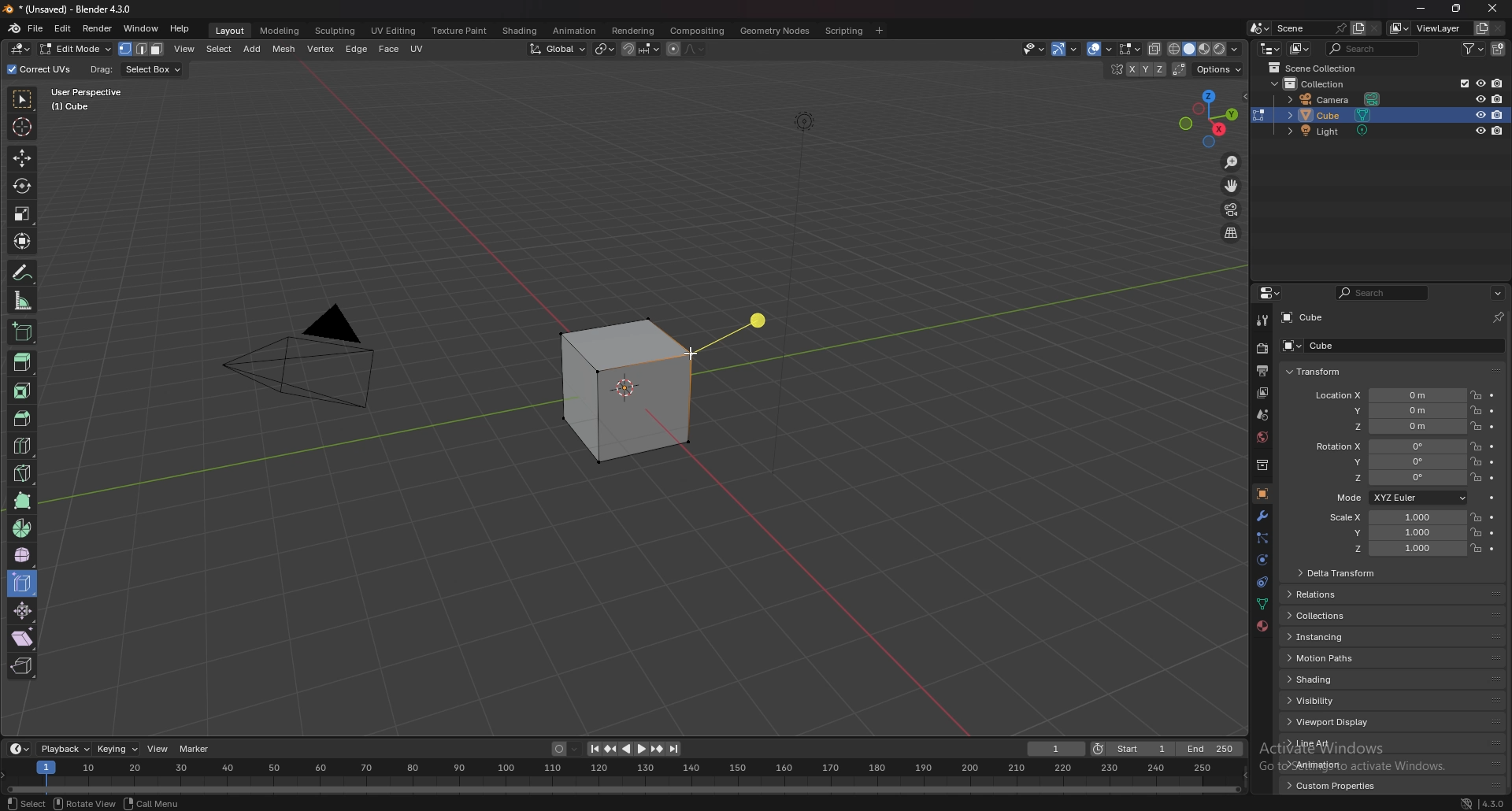 This screenshot has width=1512, height=811. Describe the element at coordinates (1399, 498) in the screenshot. I see `mode` at that location.